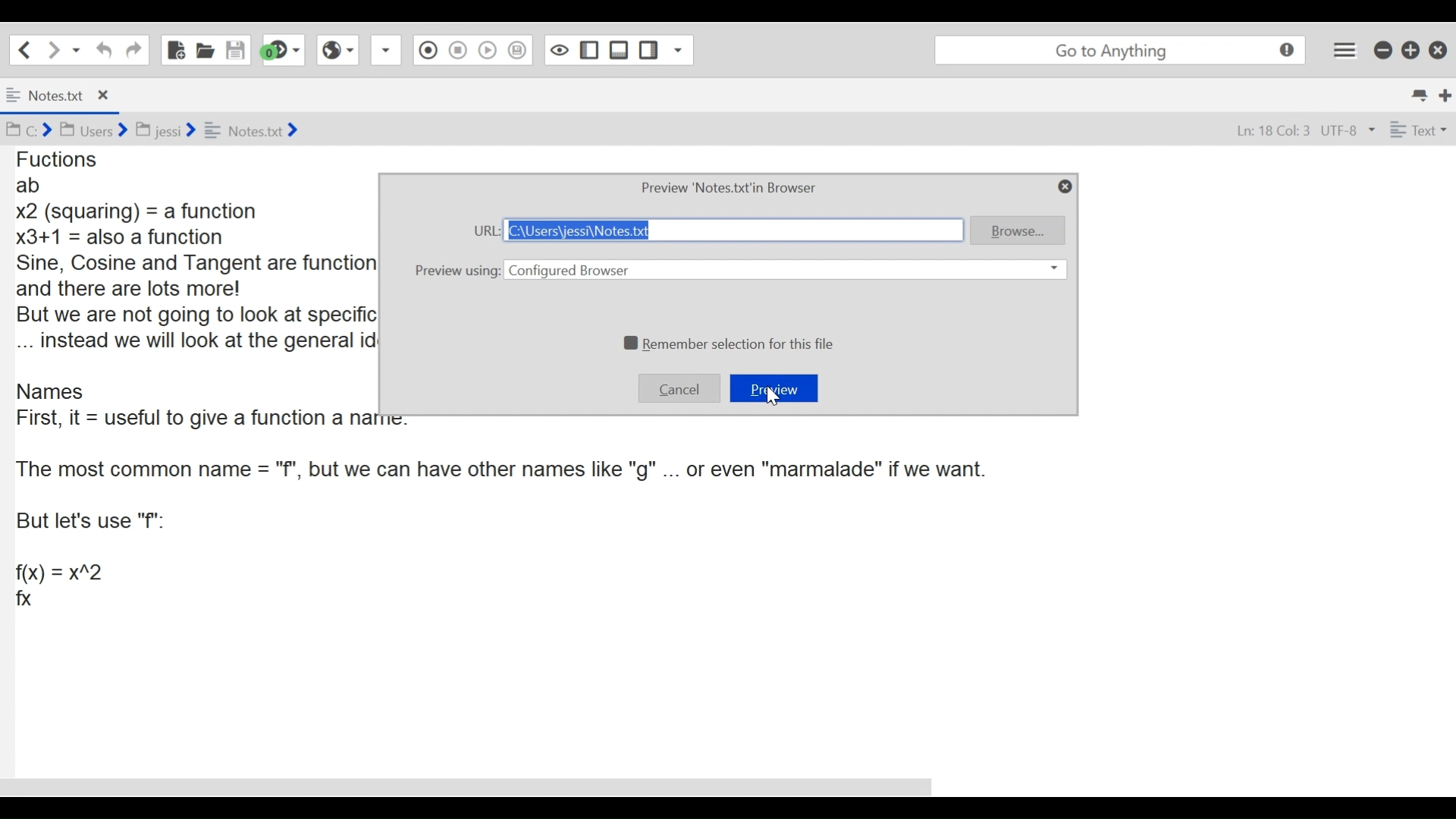 The image size is (1456, 819). I want to click on Show specific Side Pane, so click(679, 50).